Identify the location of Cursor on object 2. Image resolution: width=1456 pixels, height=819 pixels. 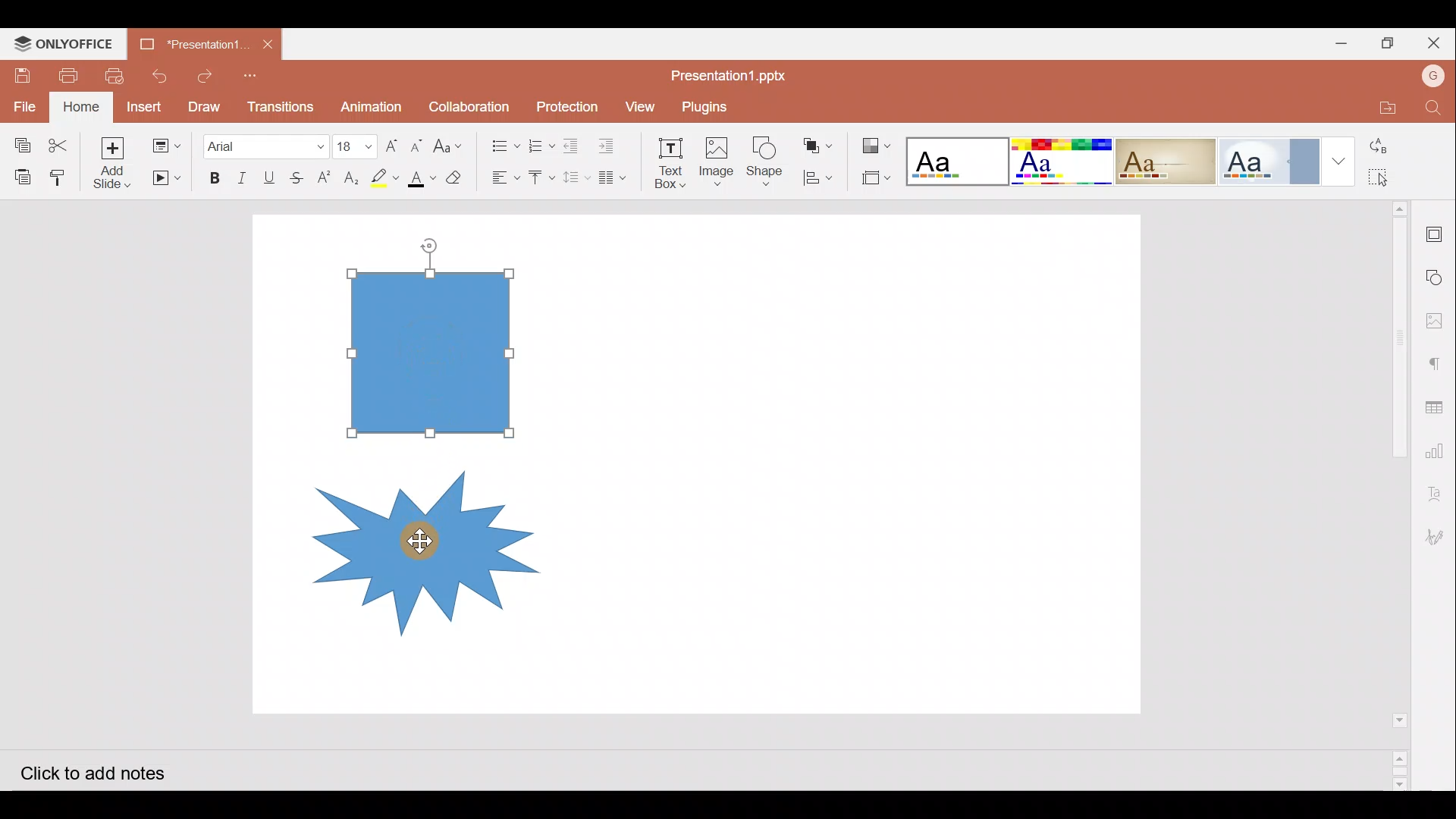
(411, 540).